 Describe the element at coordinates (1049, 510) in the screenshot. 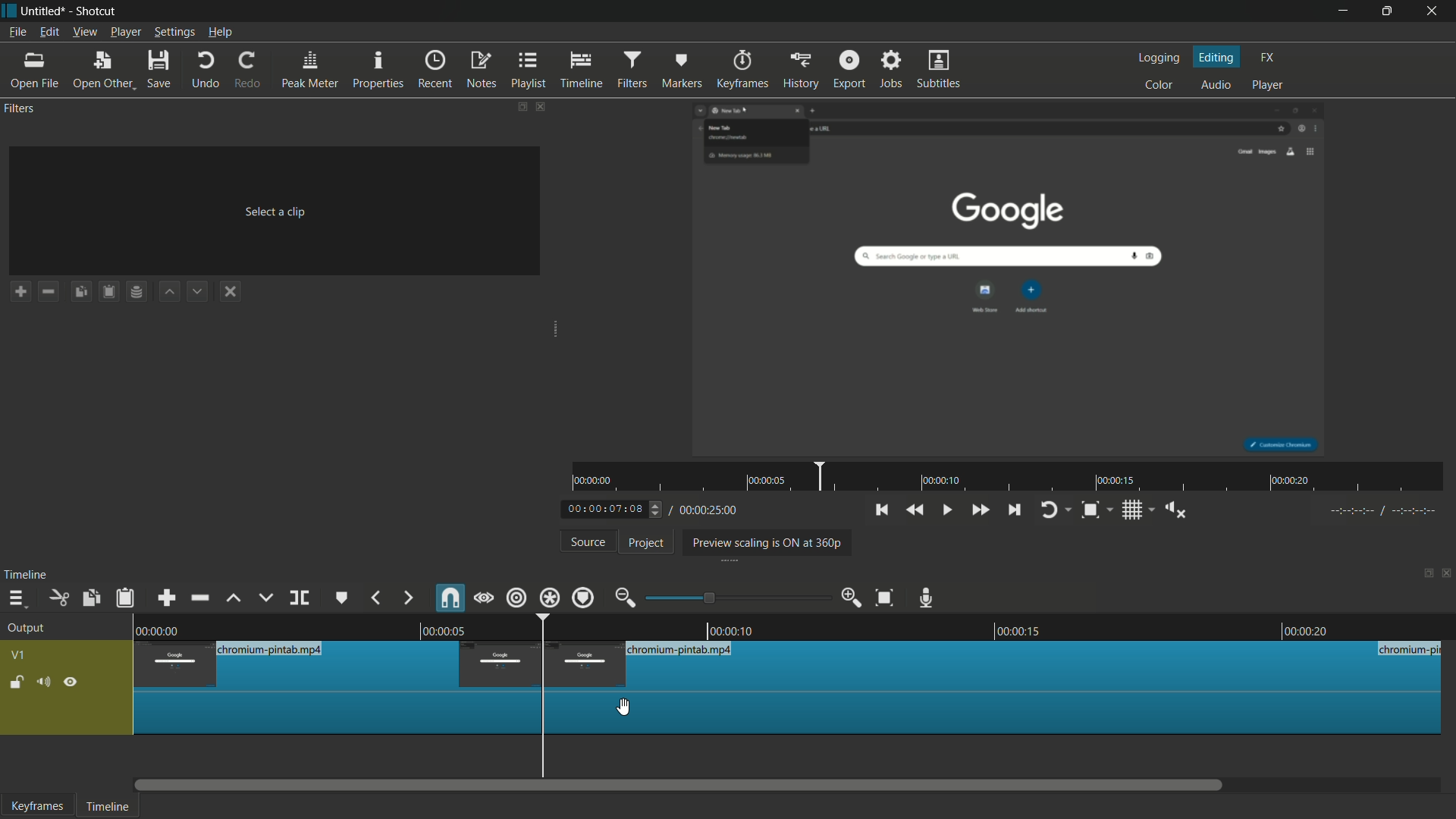

I see `toggle player looping` at that location.